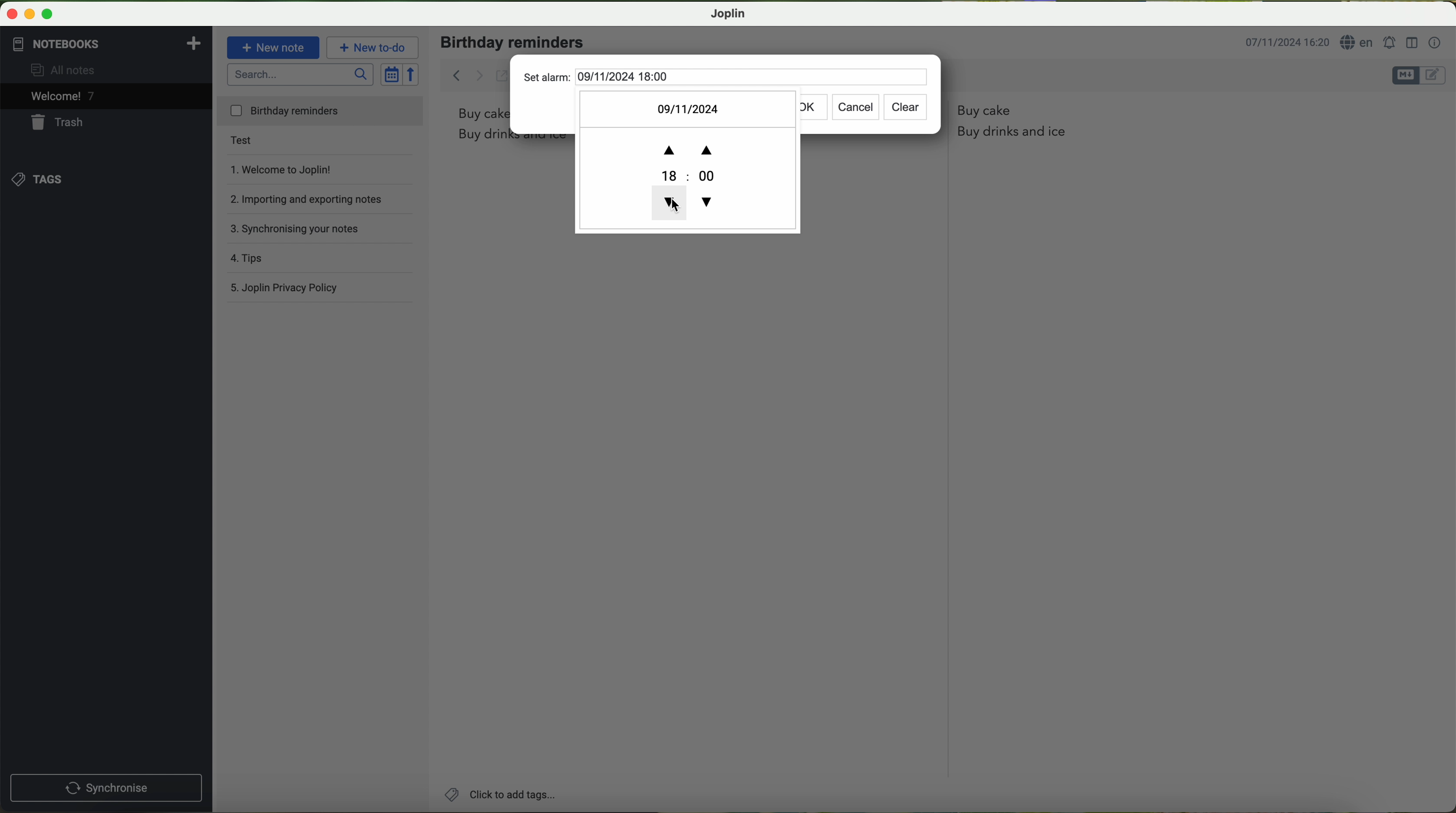 The height and width of the screenshot is (813, 1456). What do you see at coordinates (105, 786) in the screenshot?
I see `synchronise button` at bounding box center [105, 786].